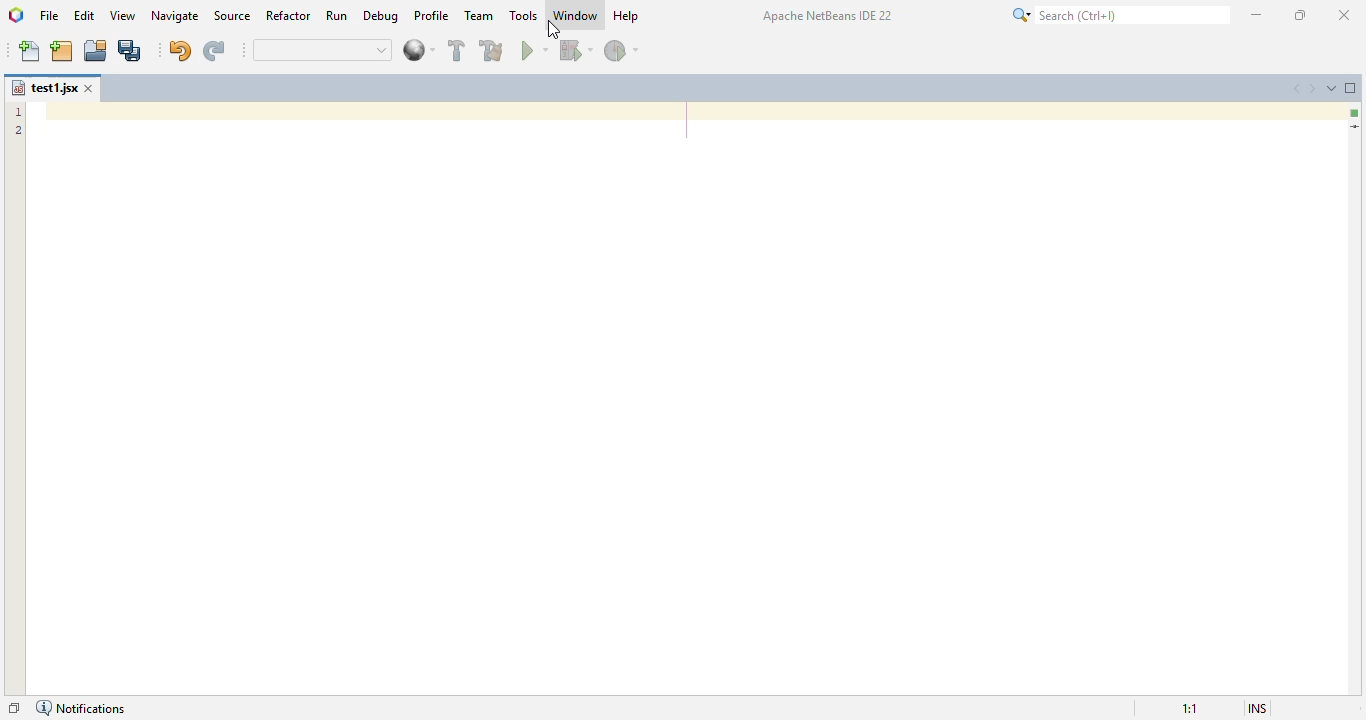  Describe the element at coordinates (1254, 707) in the screenshot. I see `insert mode` at that location.